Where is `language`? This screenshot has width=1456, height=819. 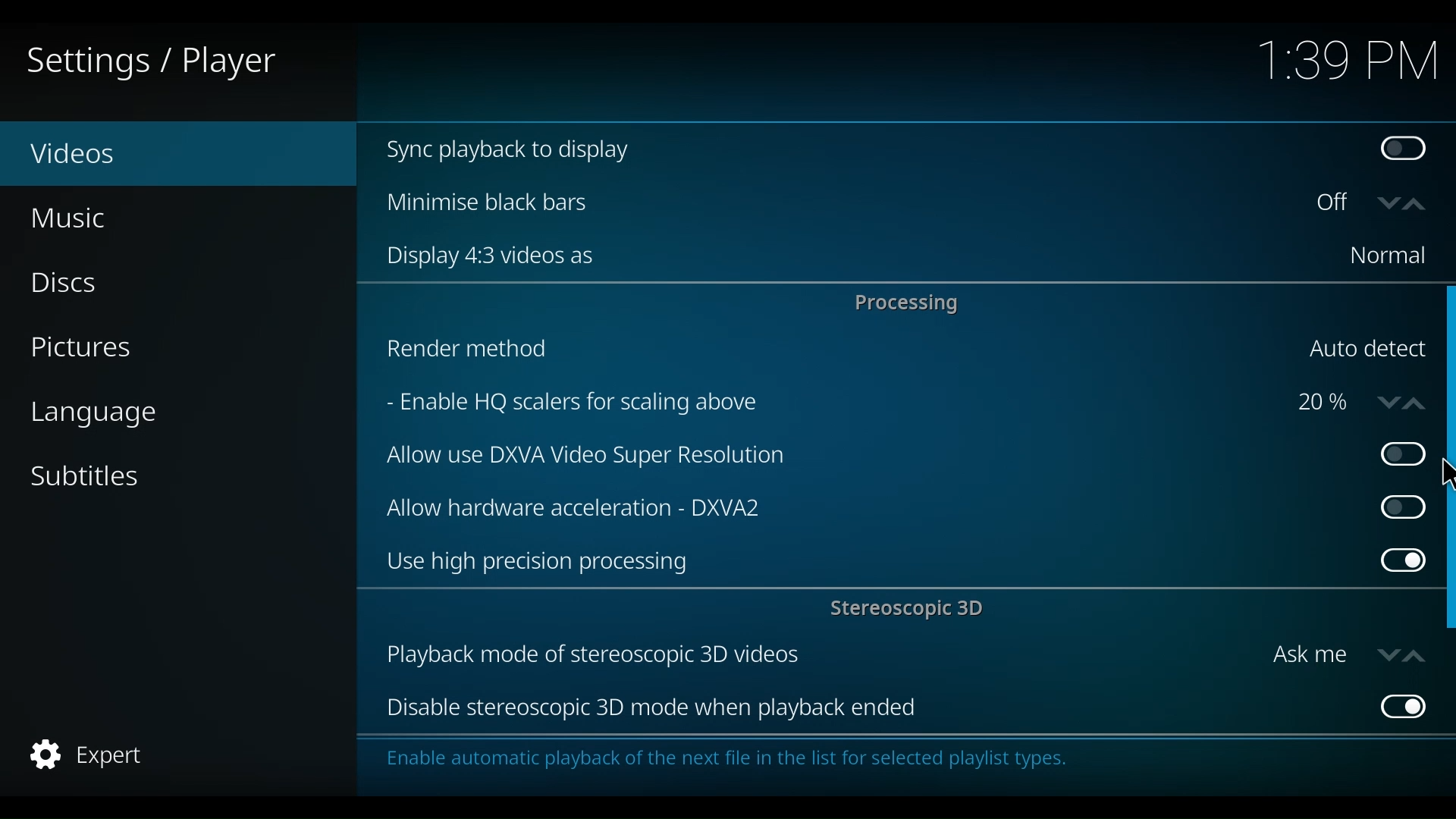
language is located at coordinates (93, 415).